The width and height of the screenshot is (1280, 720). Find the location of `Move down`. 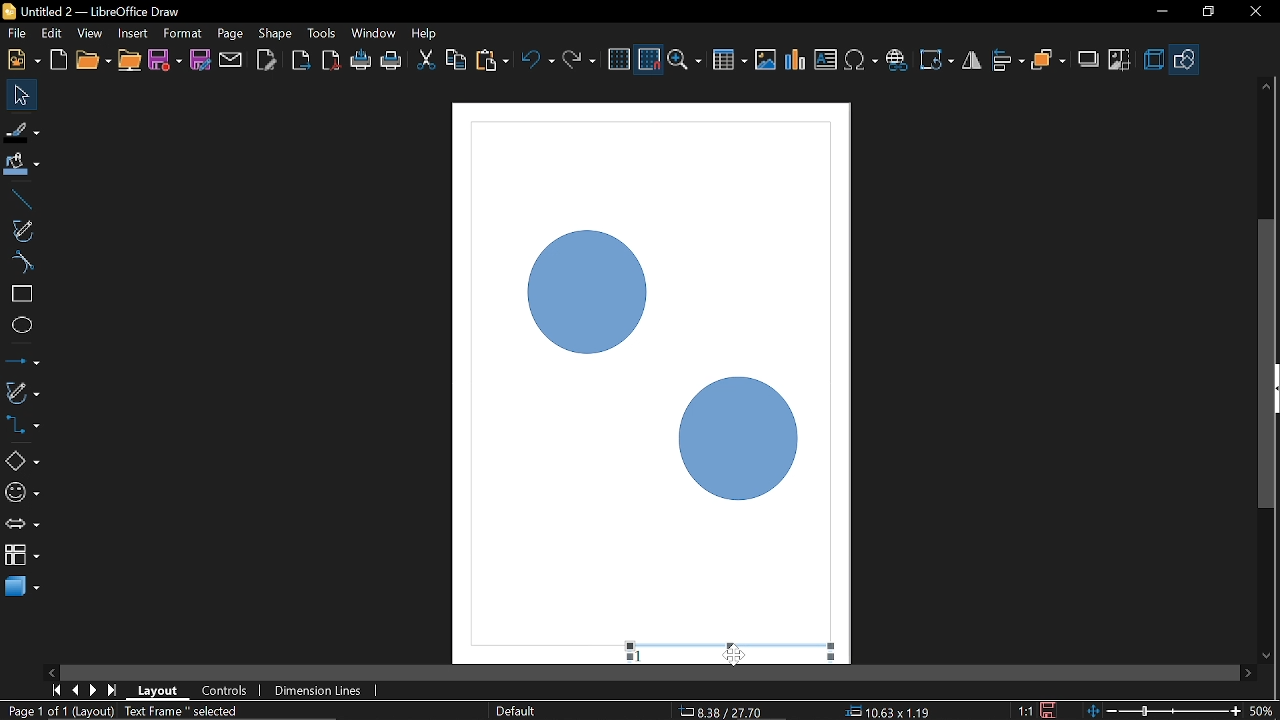

Move down is located at coordinates (1267, 657).